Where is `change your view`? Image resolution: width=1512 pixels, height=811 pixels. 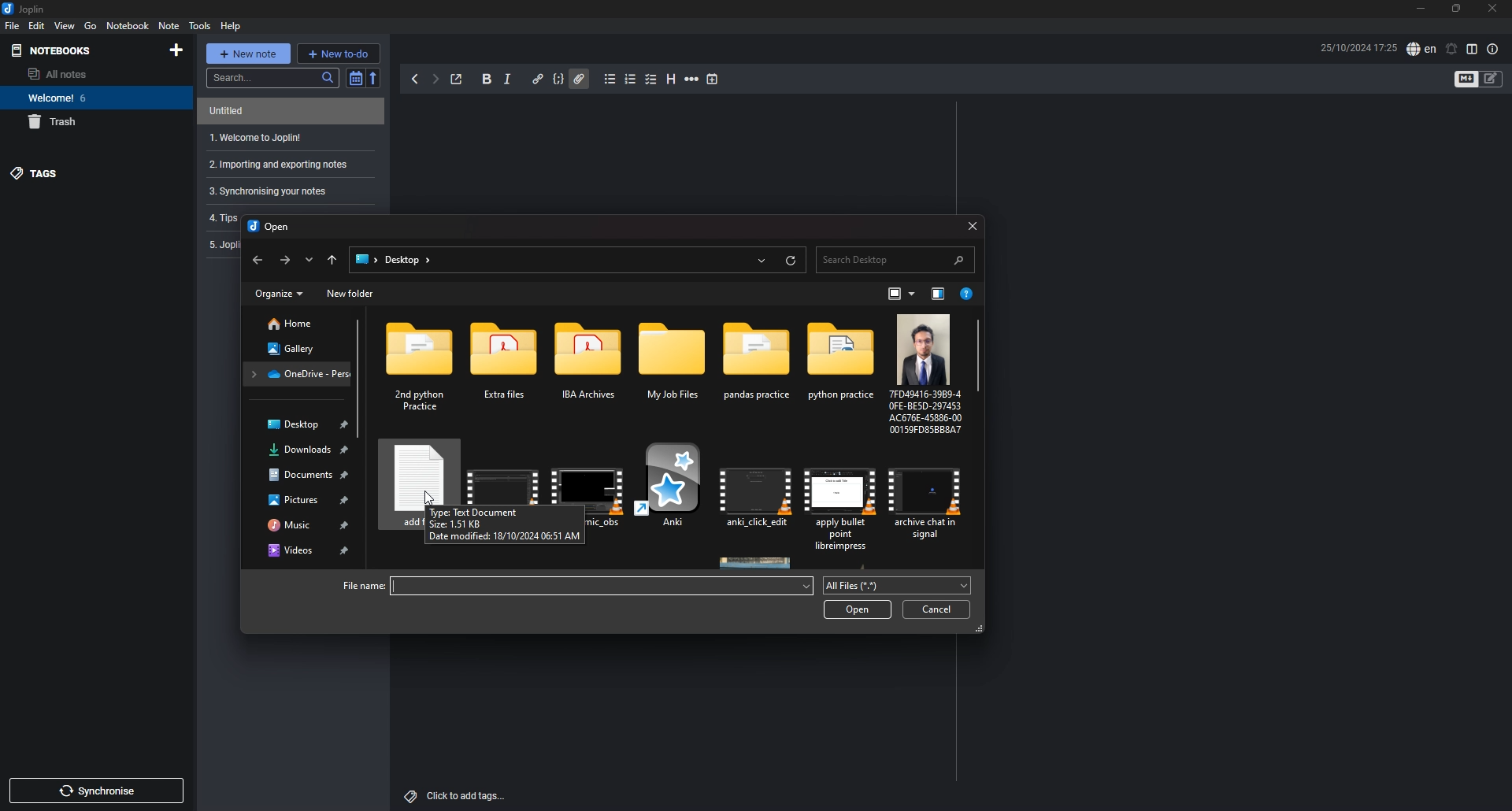
change your view is located at coordinates (902, 294).